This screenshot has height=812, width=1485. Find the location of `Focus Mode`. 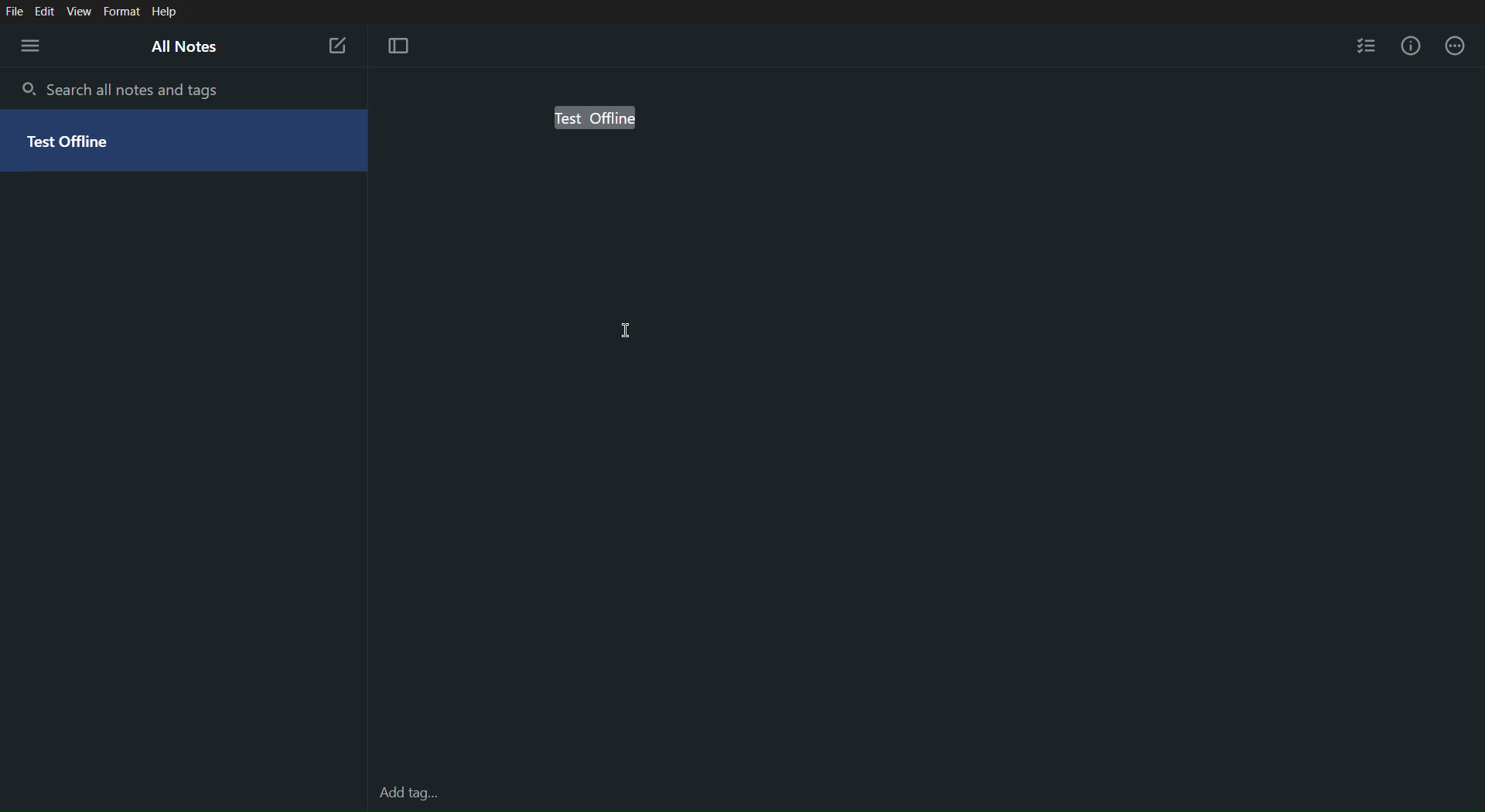

Focus Mode is located at coordinates (404, 47).